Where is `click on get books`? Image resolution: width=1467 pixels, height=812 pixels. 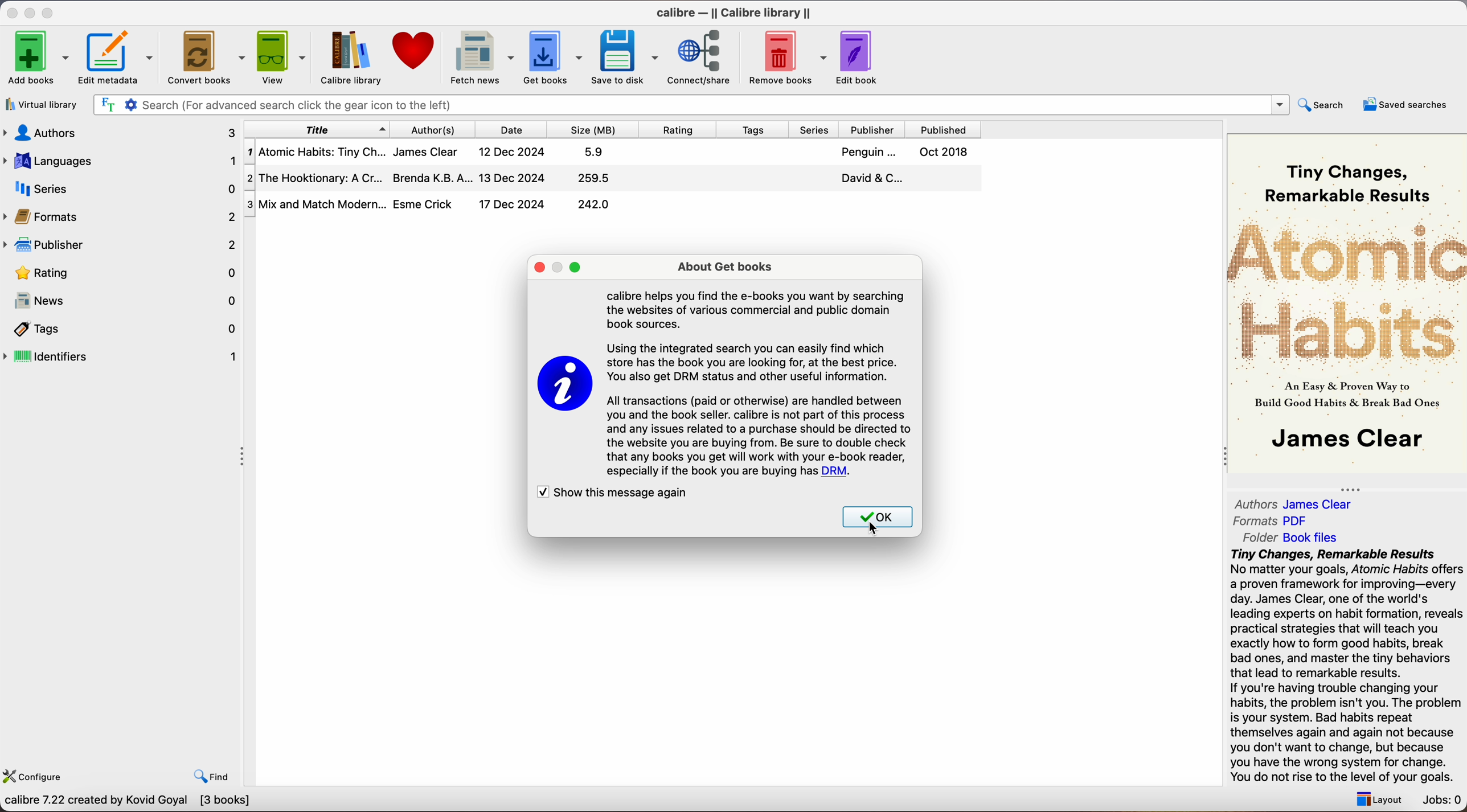 click on get books is located at coordinates (544, 56).